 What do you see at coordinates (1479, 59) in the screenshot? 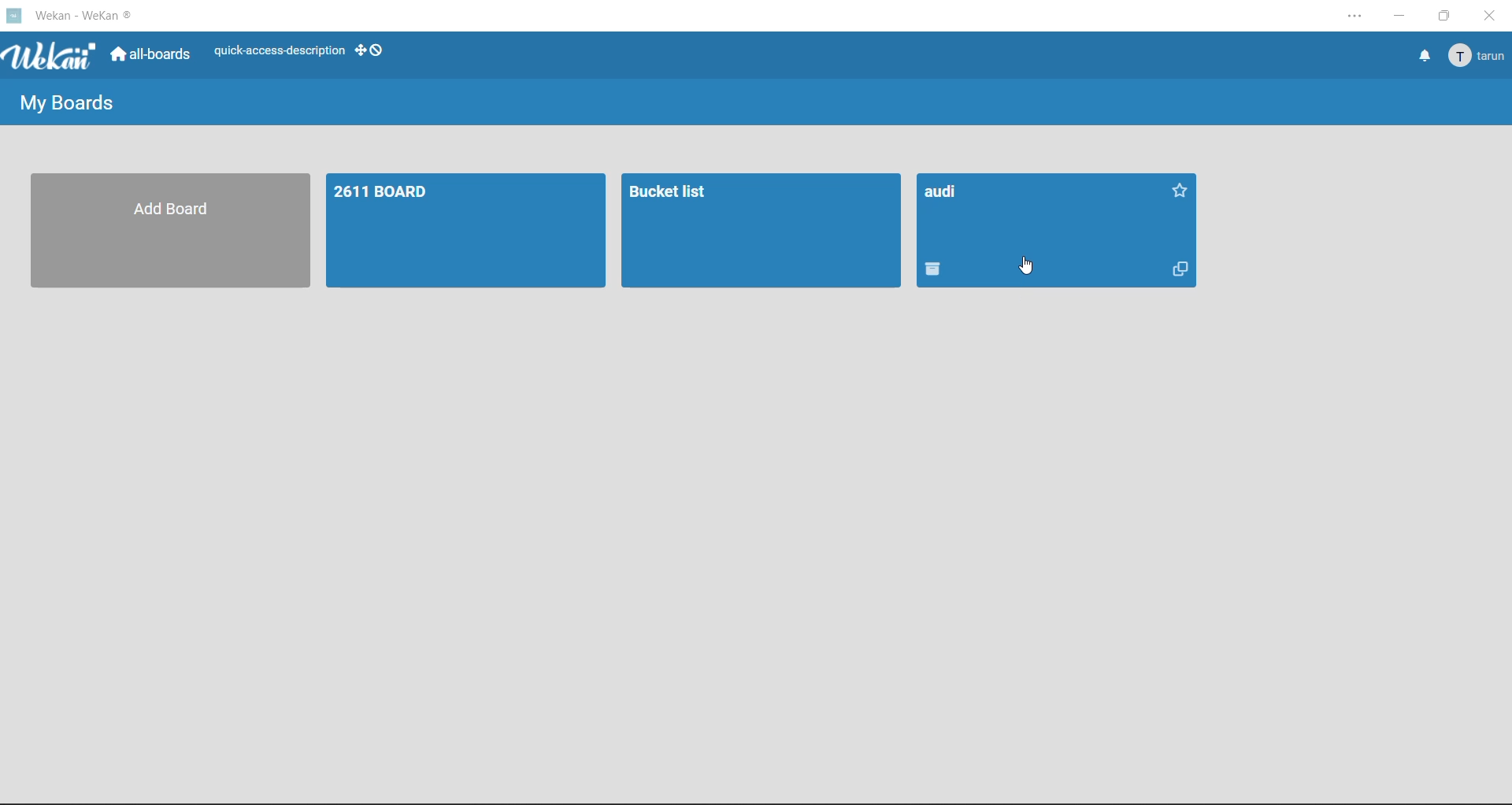
I see `tarun` at bounding box center [1479, 59].